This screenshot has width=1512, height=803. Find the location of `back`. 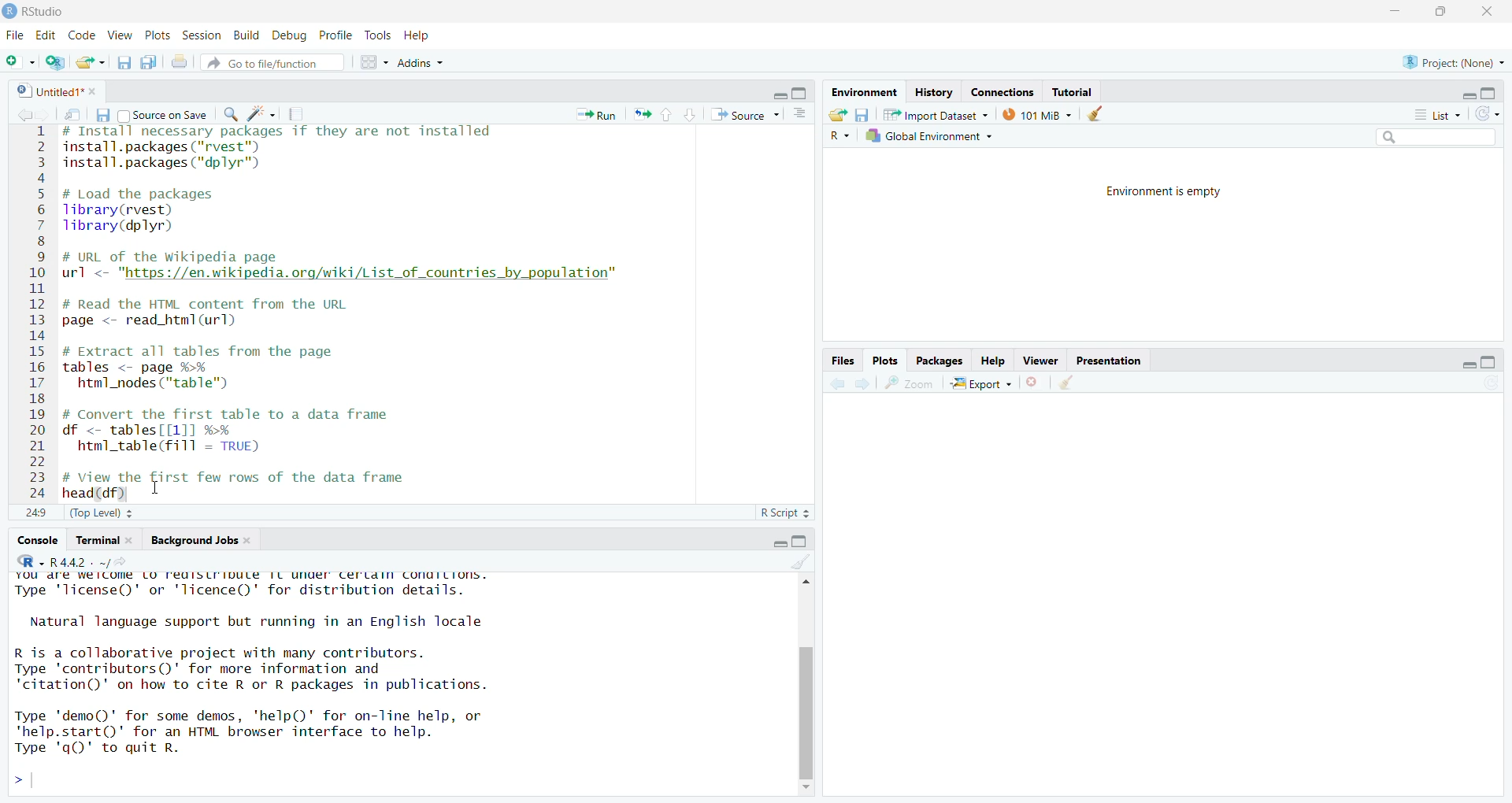

back is located at coordinates (839, 383).